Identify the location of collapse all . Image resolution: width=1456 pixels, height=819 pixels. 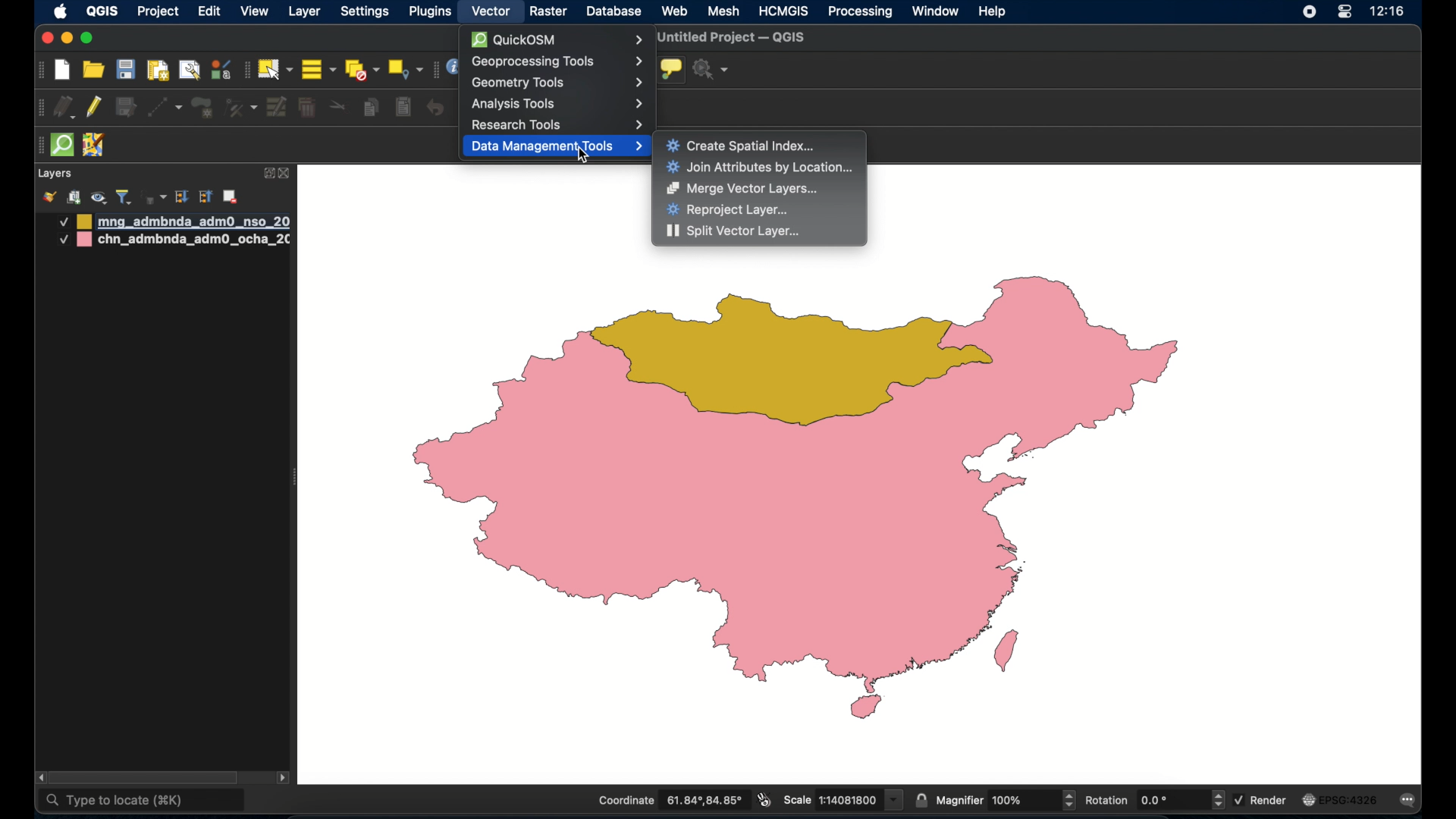
(206, 199).